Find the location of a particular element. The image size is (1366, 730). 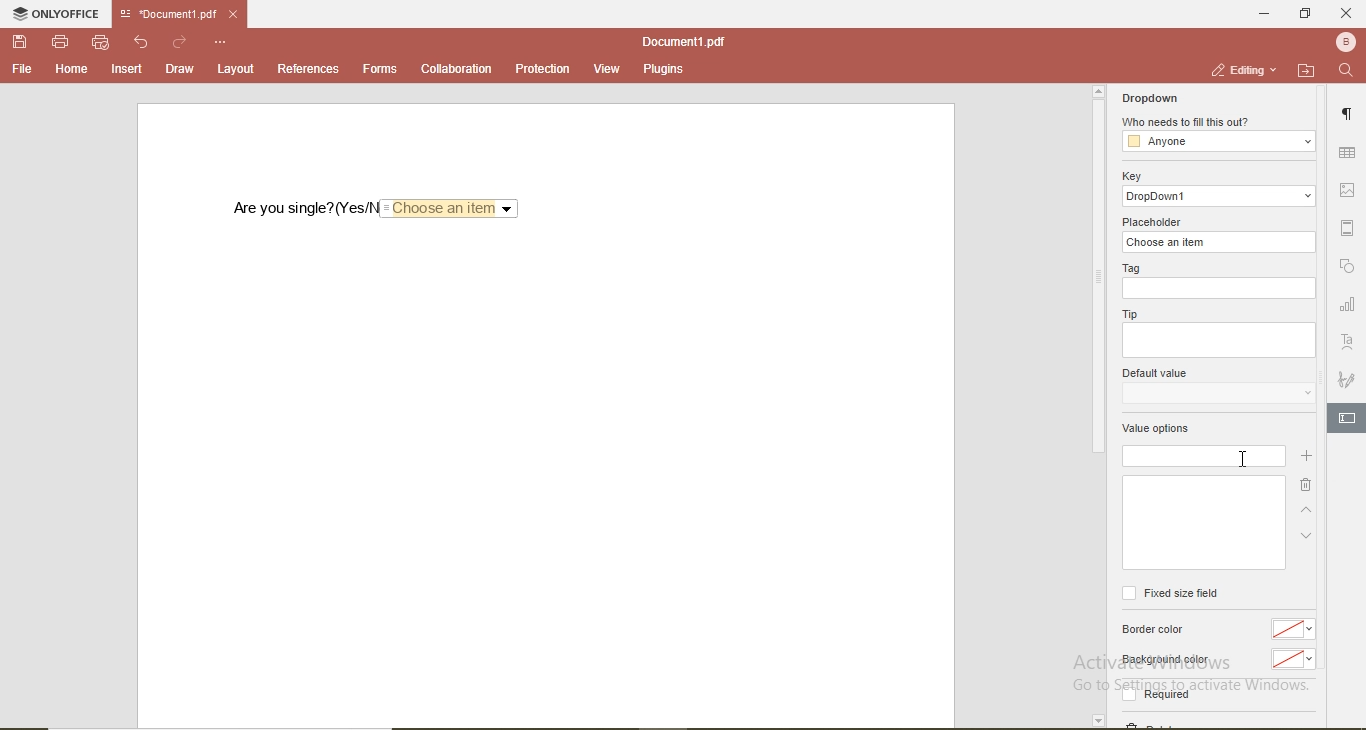

font style is located at coordinates (1350, 341).